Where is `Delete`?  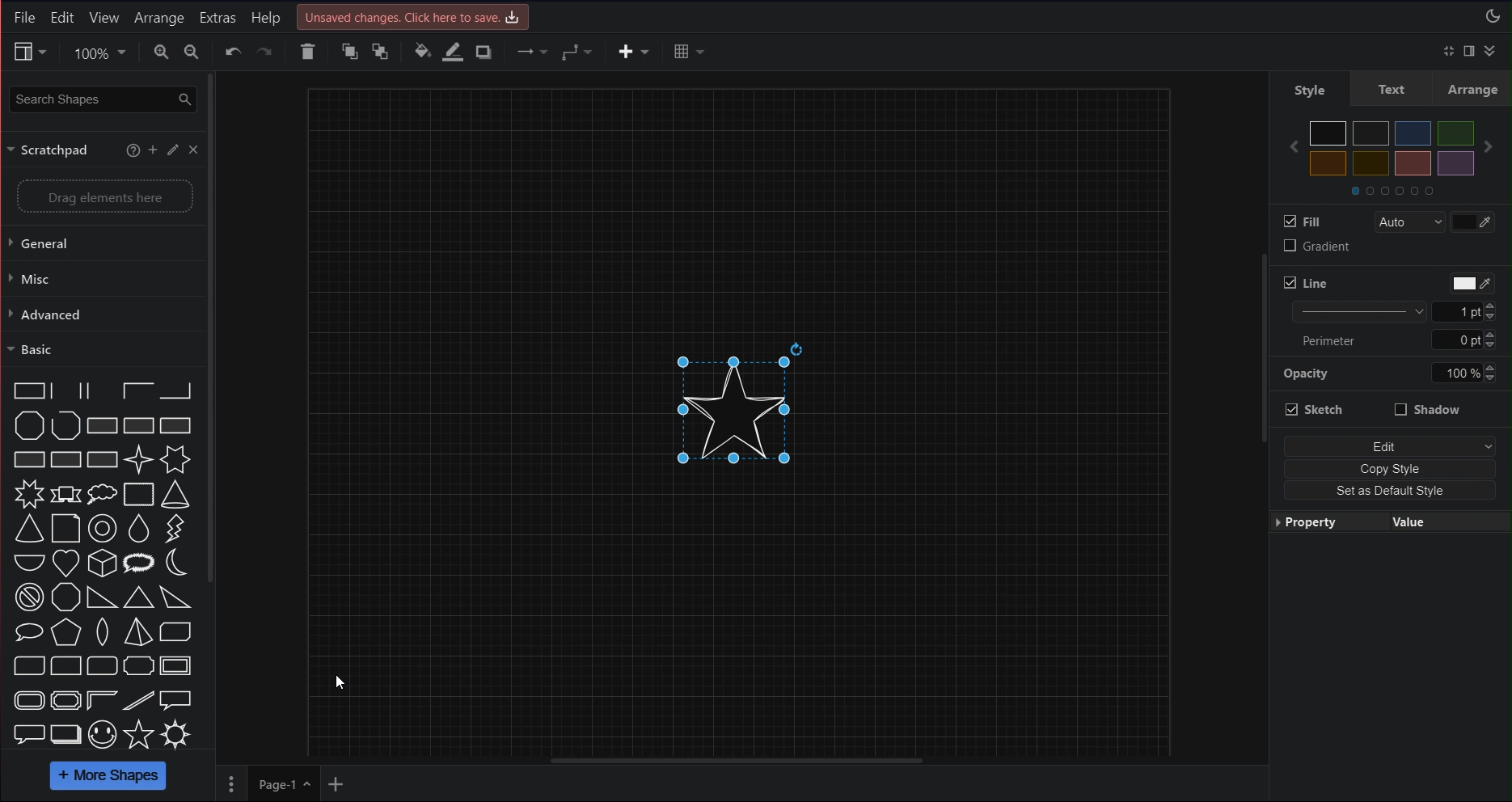
Delete is located at coordinates (306, 52).